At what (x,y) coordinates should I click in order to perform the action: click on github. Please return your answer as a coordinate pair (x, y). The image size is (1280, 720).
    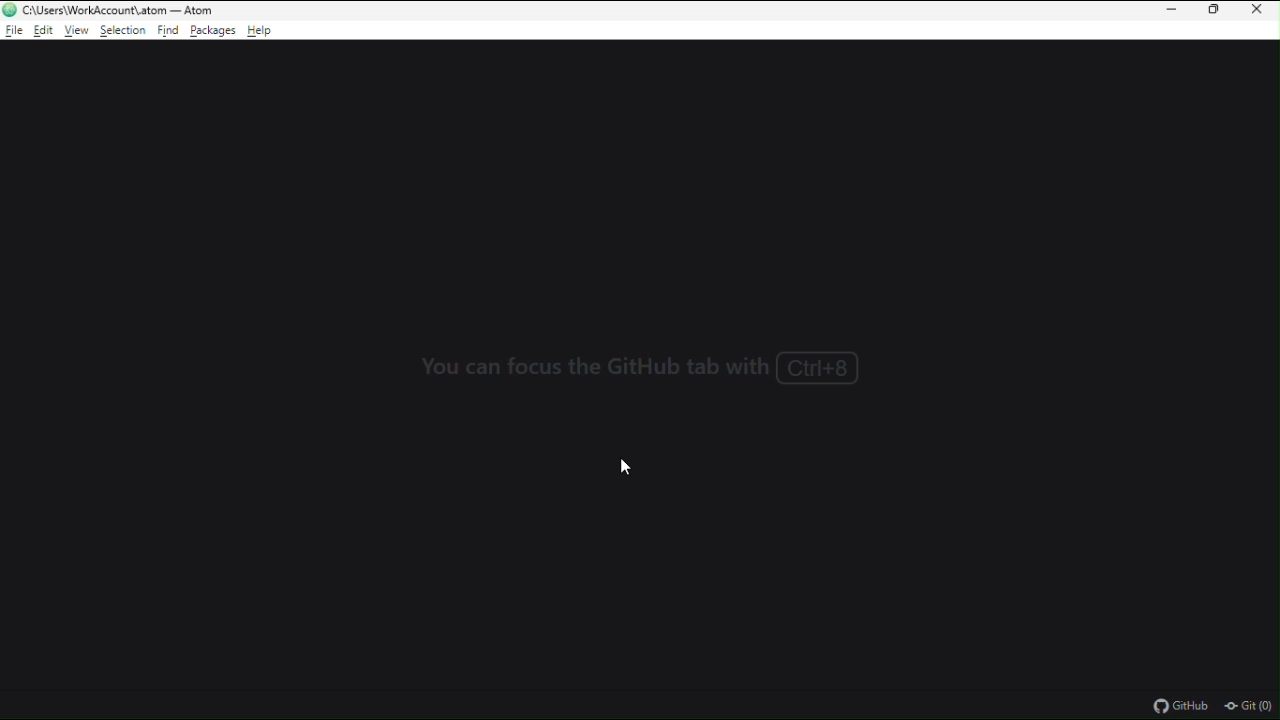
    Looking at the image, I should click on (1179, 704).